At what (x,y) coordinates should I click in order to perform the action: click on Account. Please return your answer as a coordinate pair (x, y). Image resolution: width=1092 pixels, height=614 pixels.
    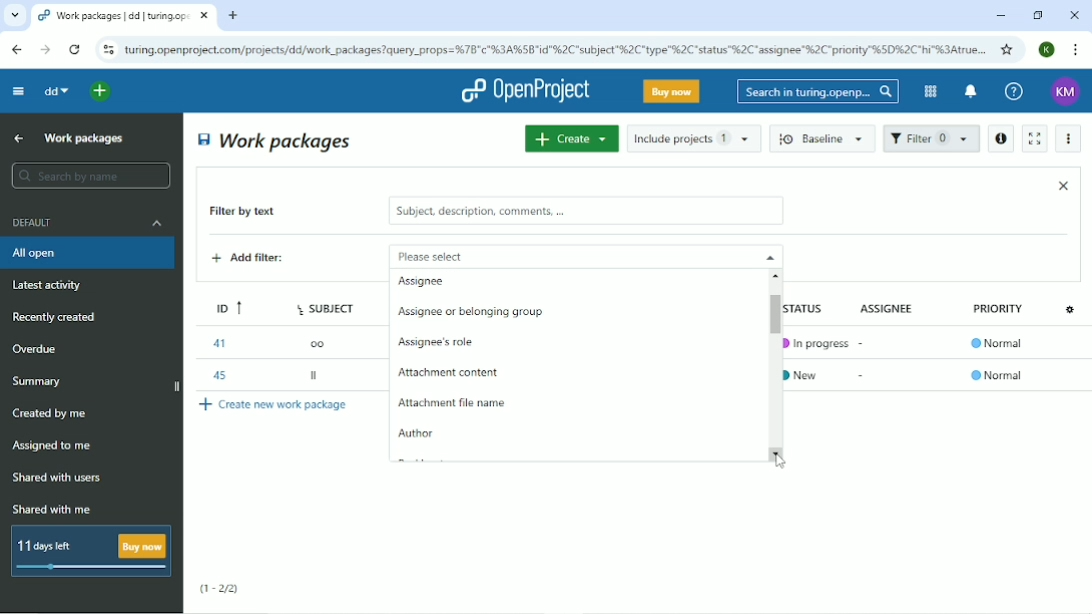
    Looking at the image, I should click on (1048, 49).